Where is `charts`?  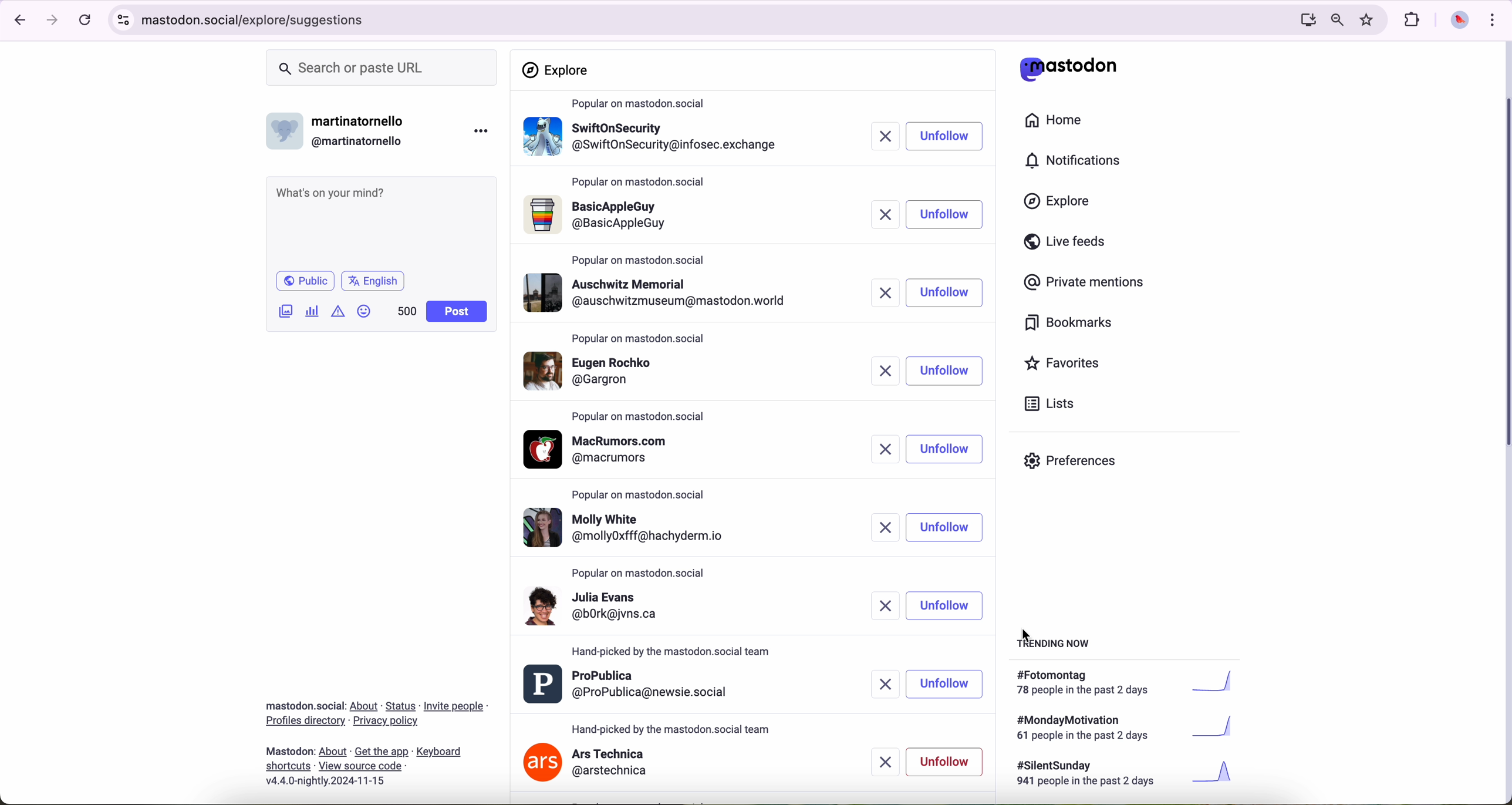
charts is located at coordinates (315, 311).